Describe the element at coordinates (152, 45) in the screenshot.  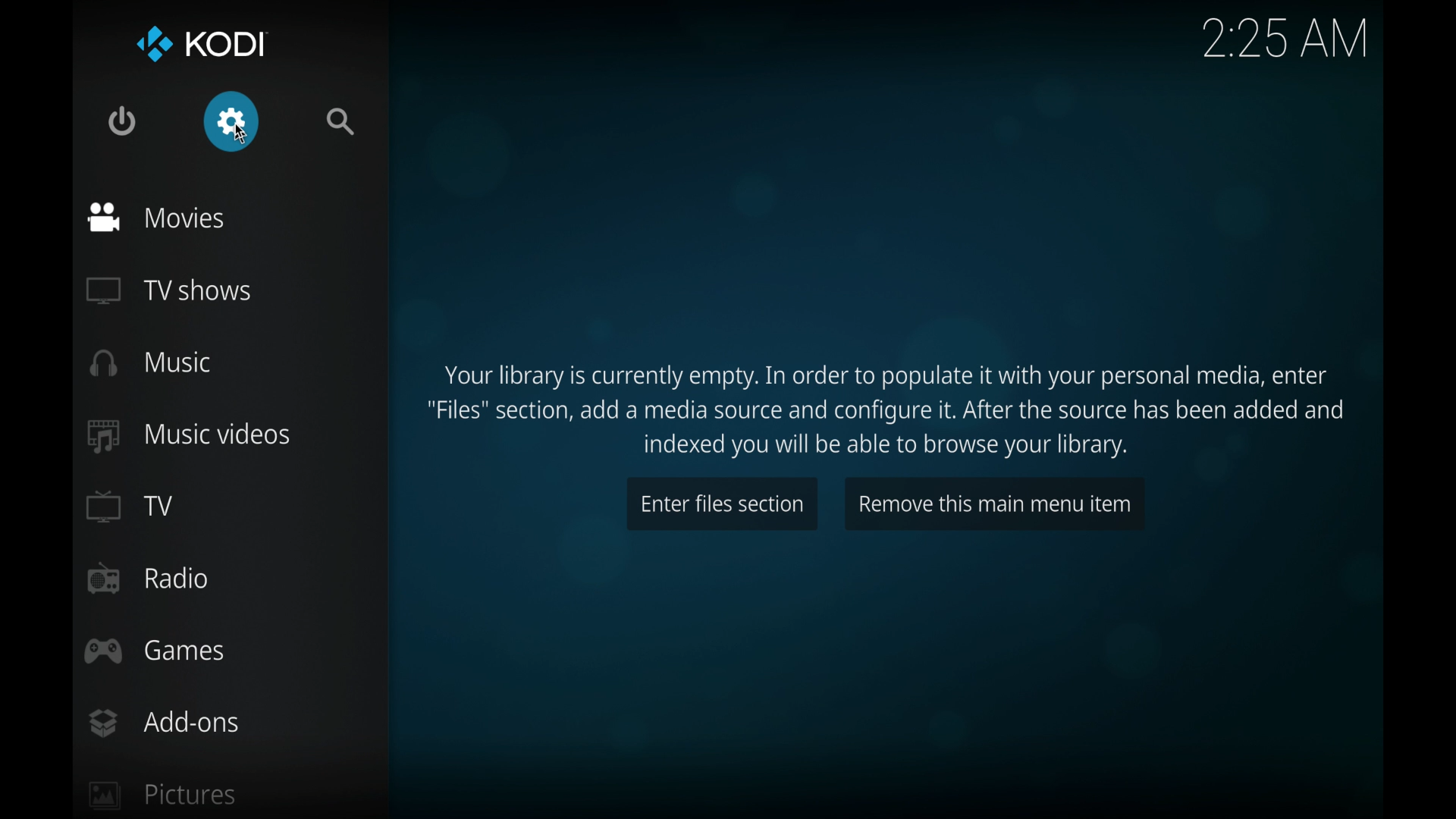
I see `kodi logo` at that location.